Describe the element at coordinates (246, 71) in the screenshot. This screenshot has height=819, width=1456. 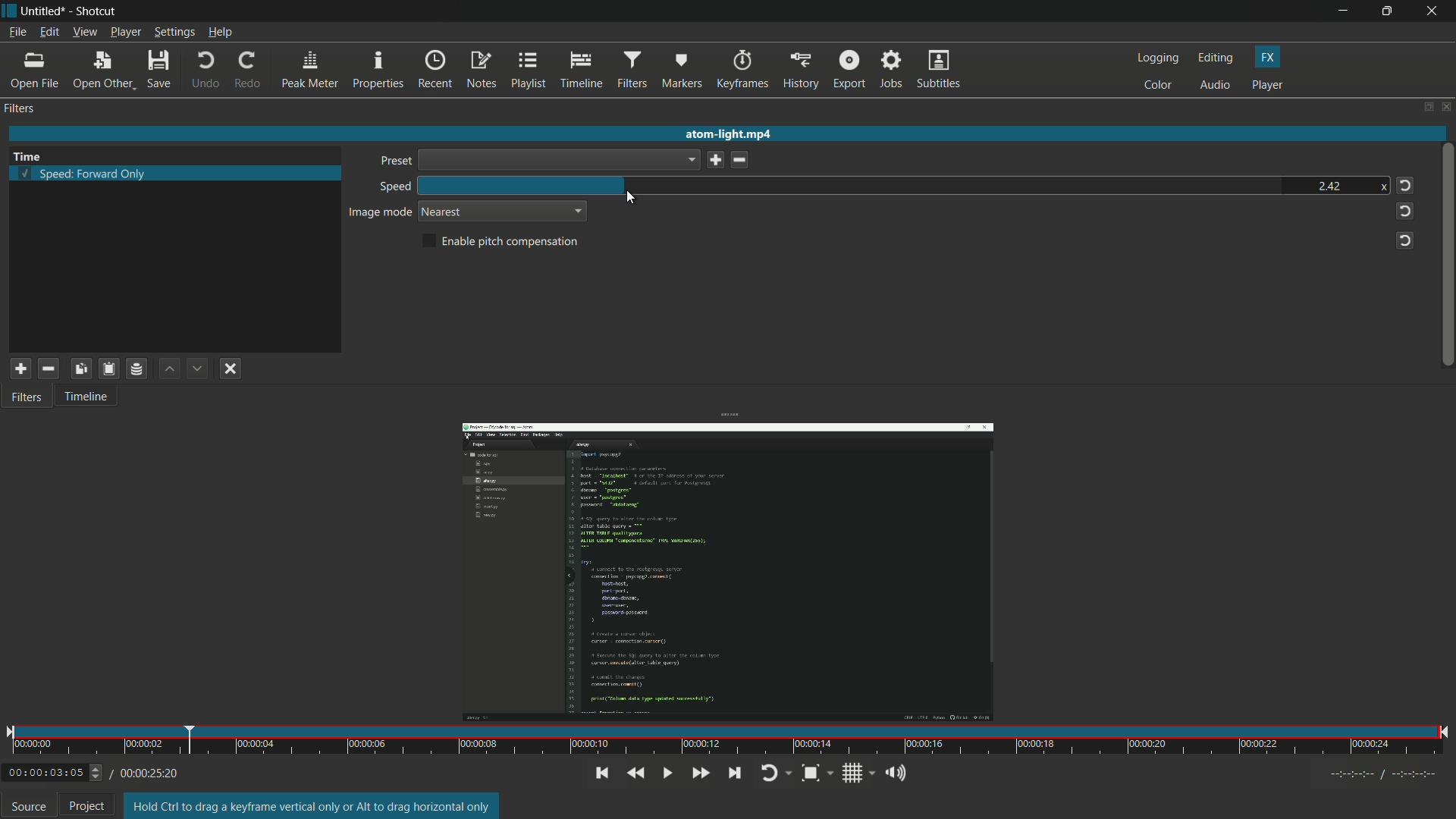
I see `redo` at that location.